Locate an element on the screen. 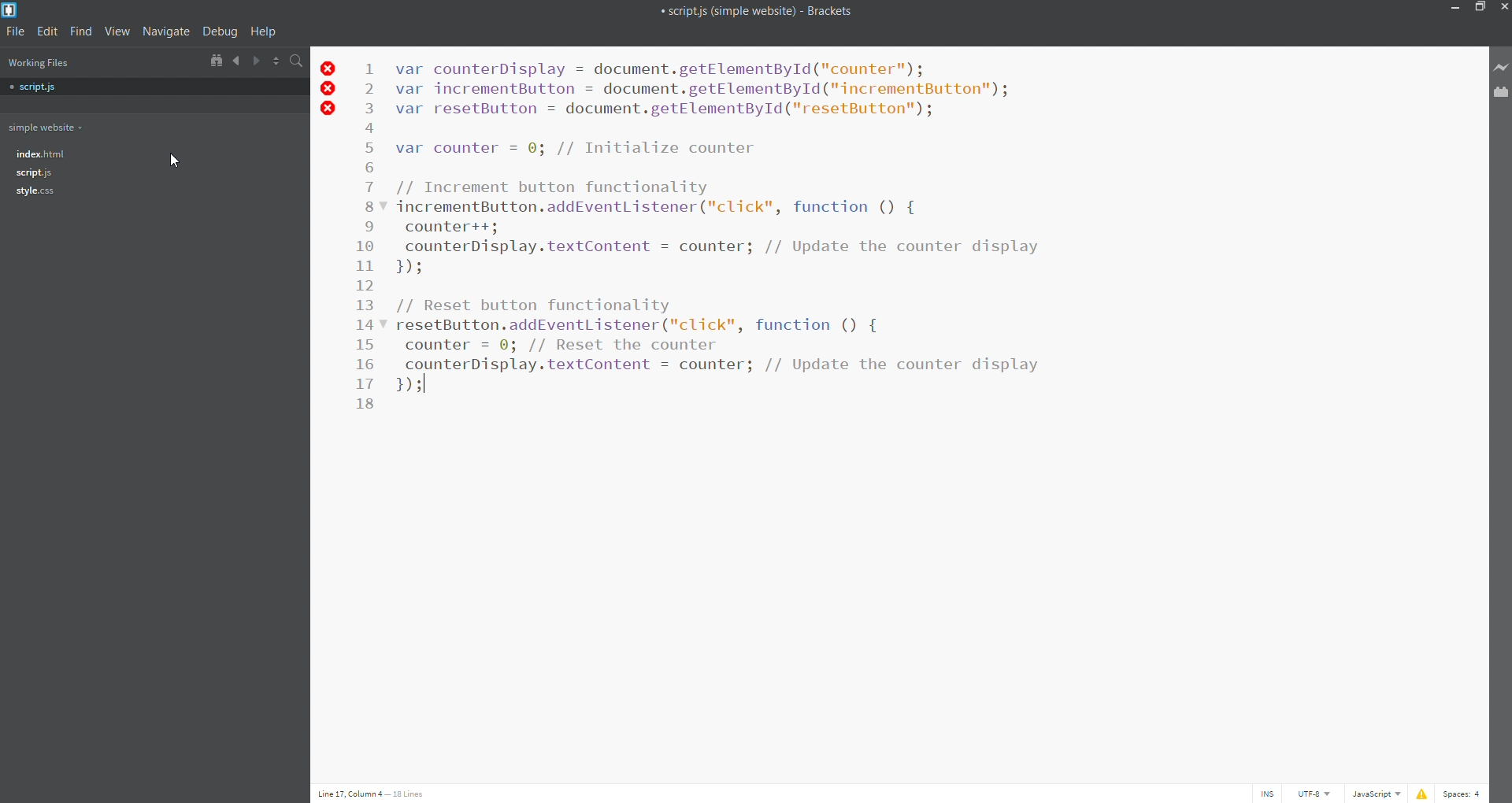  encoding is located at coordinates (1312, 794).